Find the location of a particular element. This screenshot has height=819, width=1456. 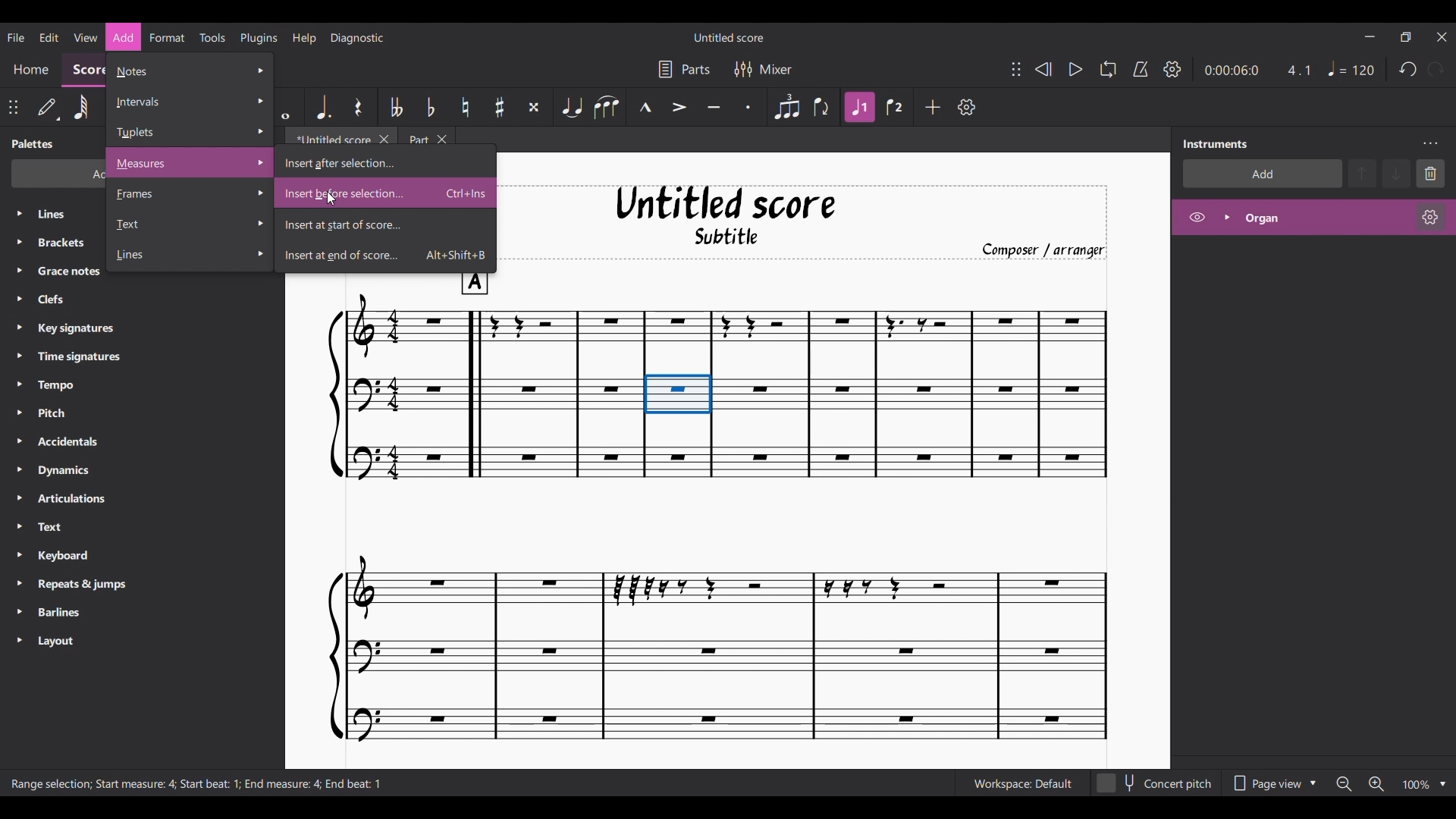

Current zoom factor is located at coordinates (1417, 785).